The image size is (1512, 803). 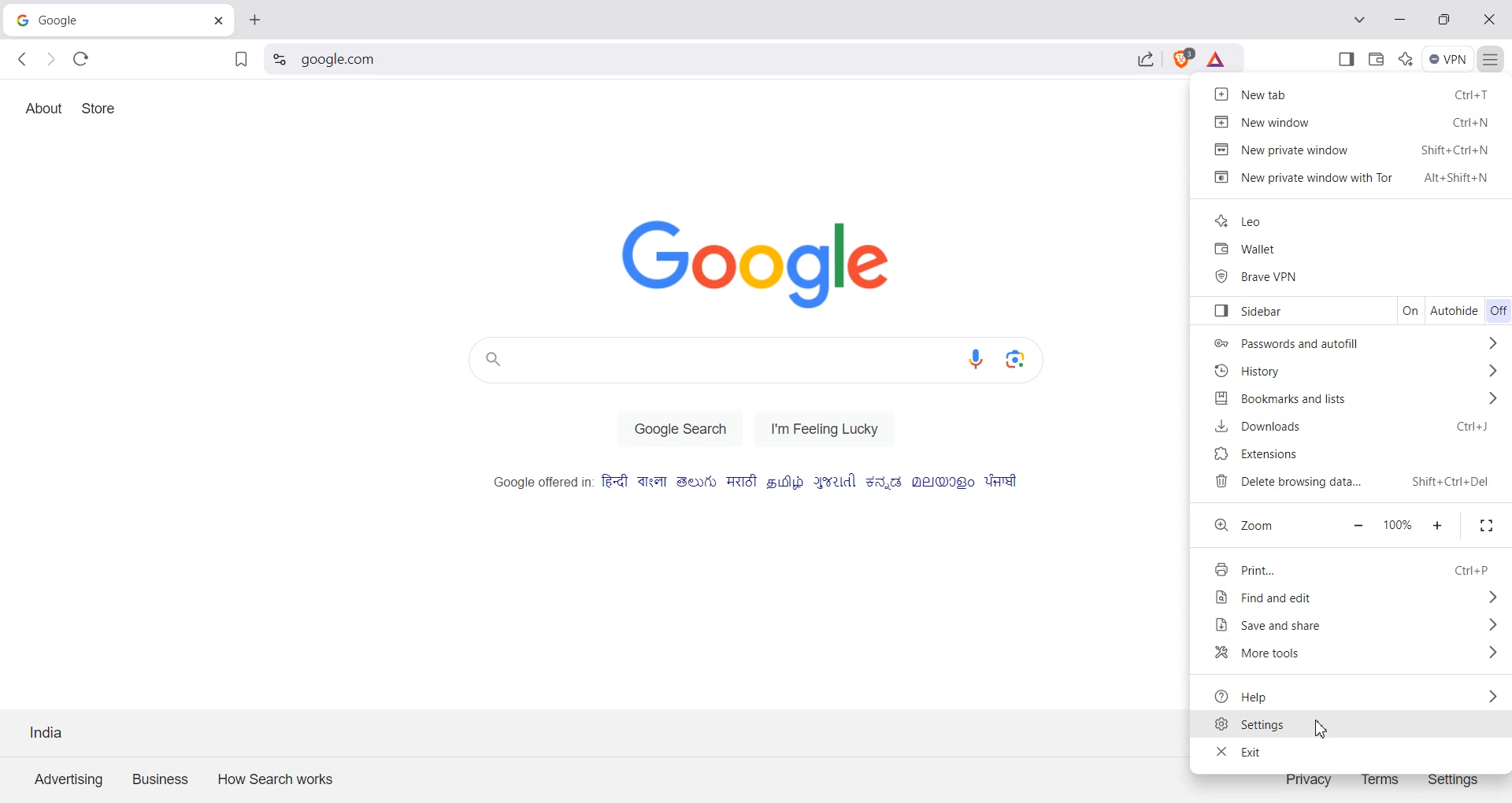 What do you see at coordinates (1355, 598) in the screenshot?
I see `Find and edit` at bounding box center [1355, 598].